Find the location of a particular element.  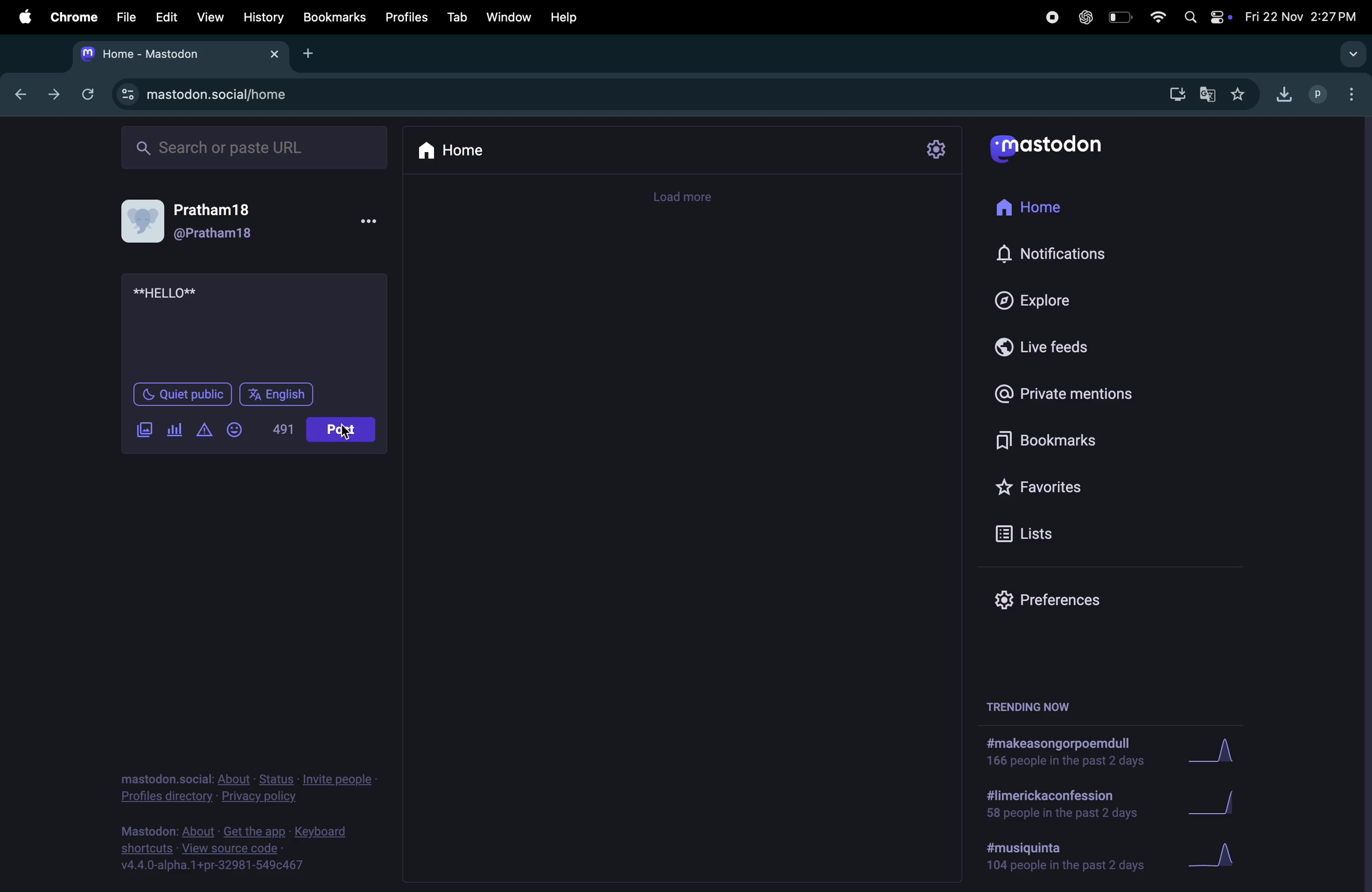

search ba is located at coordinates (253, 147).